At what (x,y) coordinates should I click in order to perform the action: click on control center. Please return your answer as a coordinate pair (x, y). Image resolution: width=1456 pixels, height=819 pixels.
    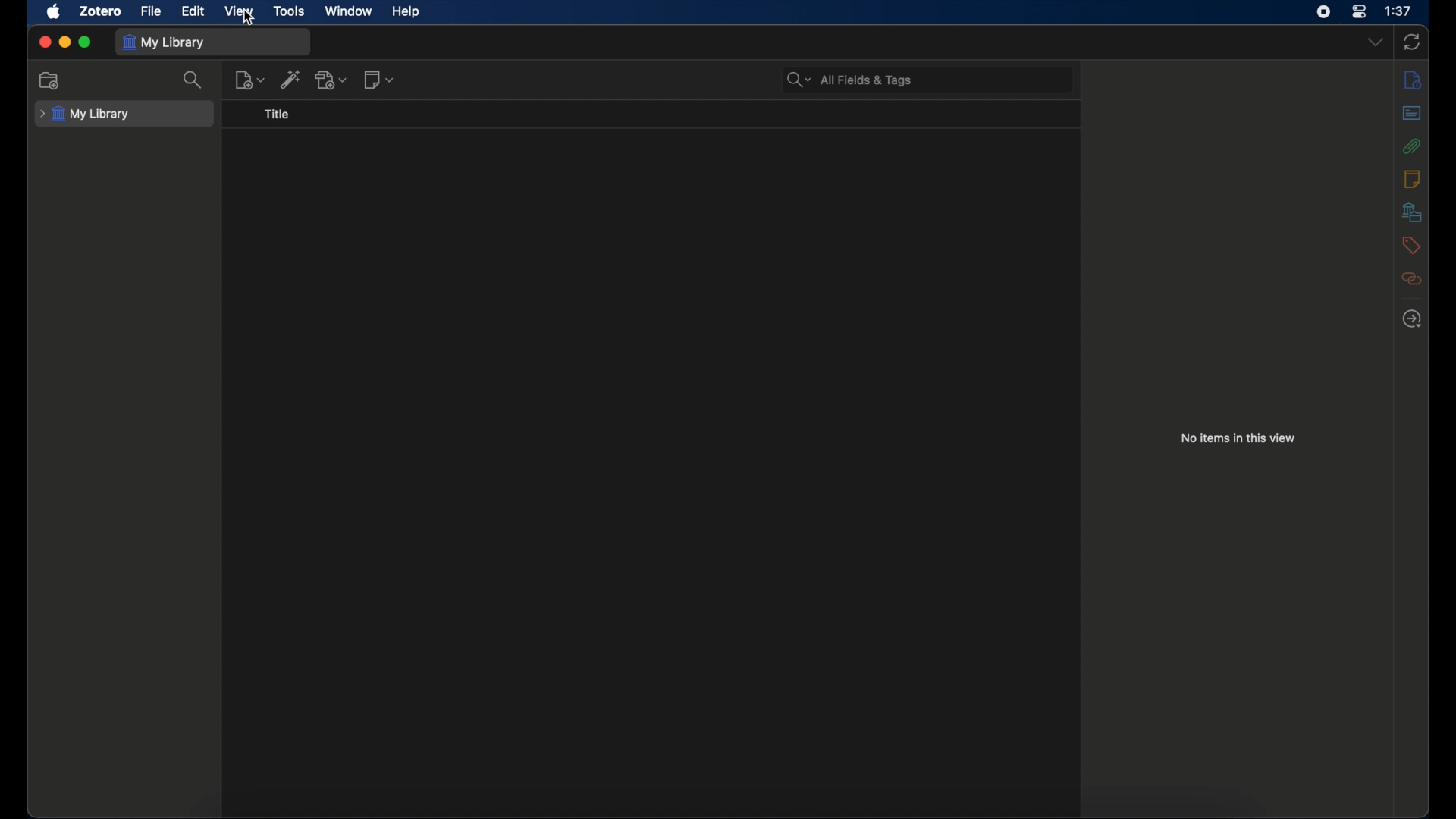
    Looking at the image, I should click on (1359, 11).